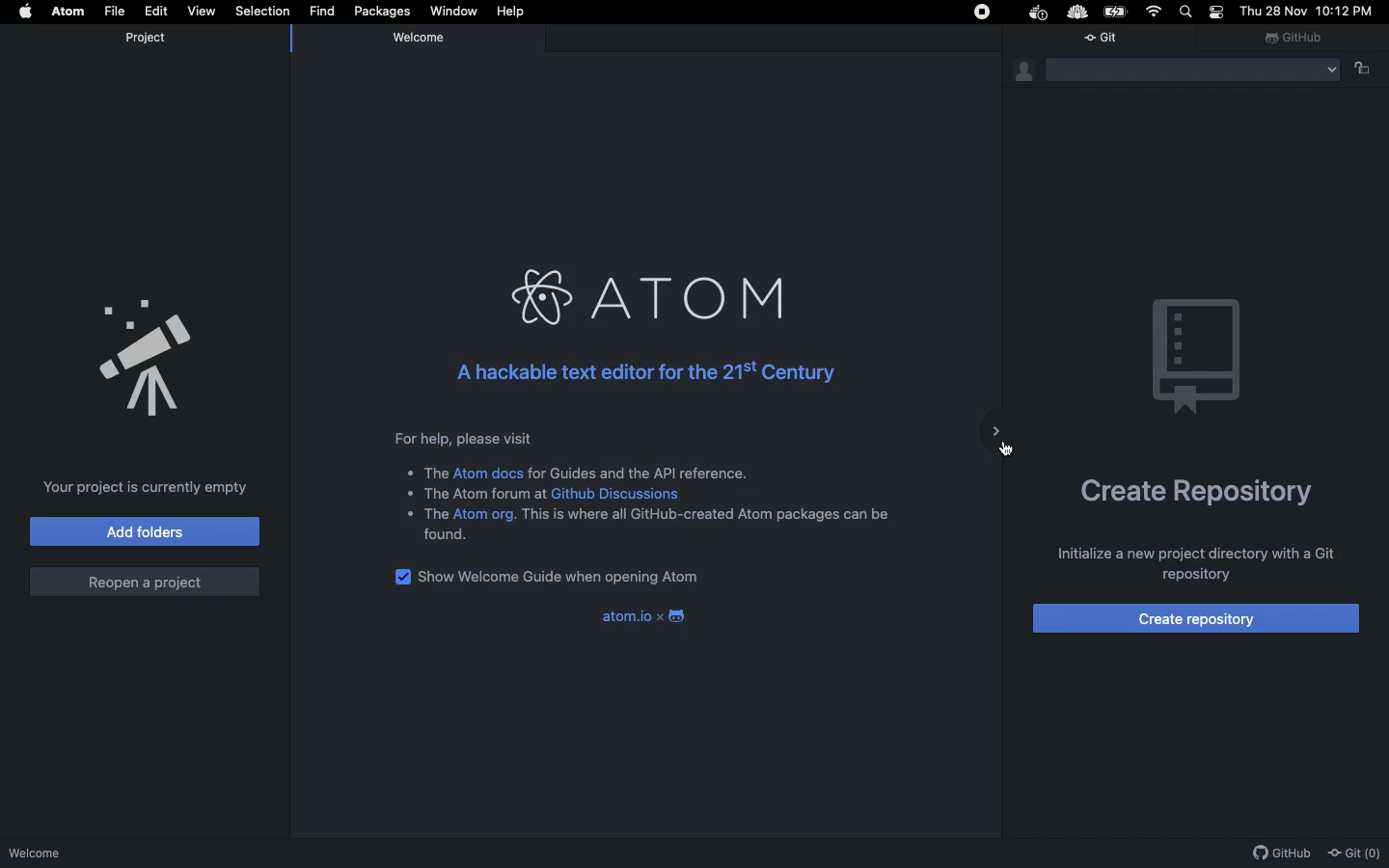 The width and height of the screenshot is (1389, 868). Describe the element at coordinates (146, 487) in the screenshot. I see `Your project is currently empty` at that location.